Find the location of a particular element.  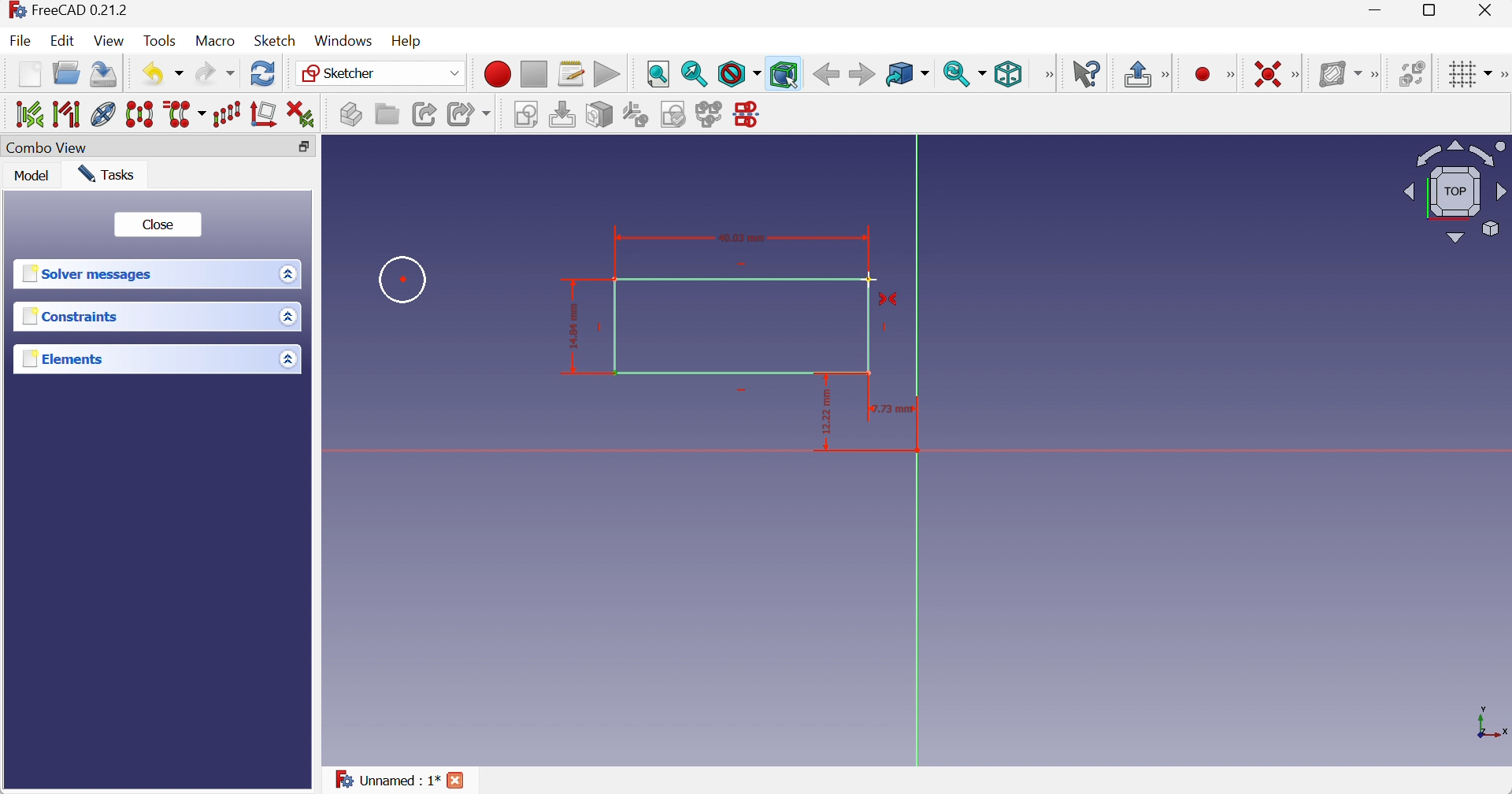

Close is located at coordinates (161, 224).